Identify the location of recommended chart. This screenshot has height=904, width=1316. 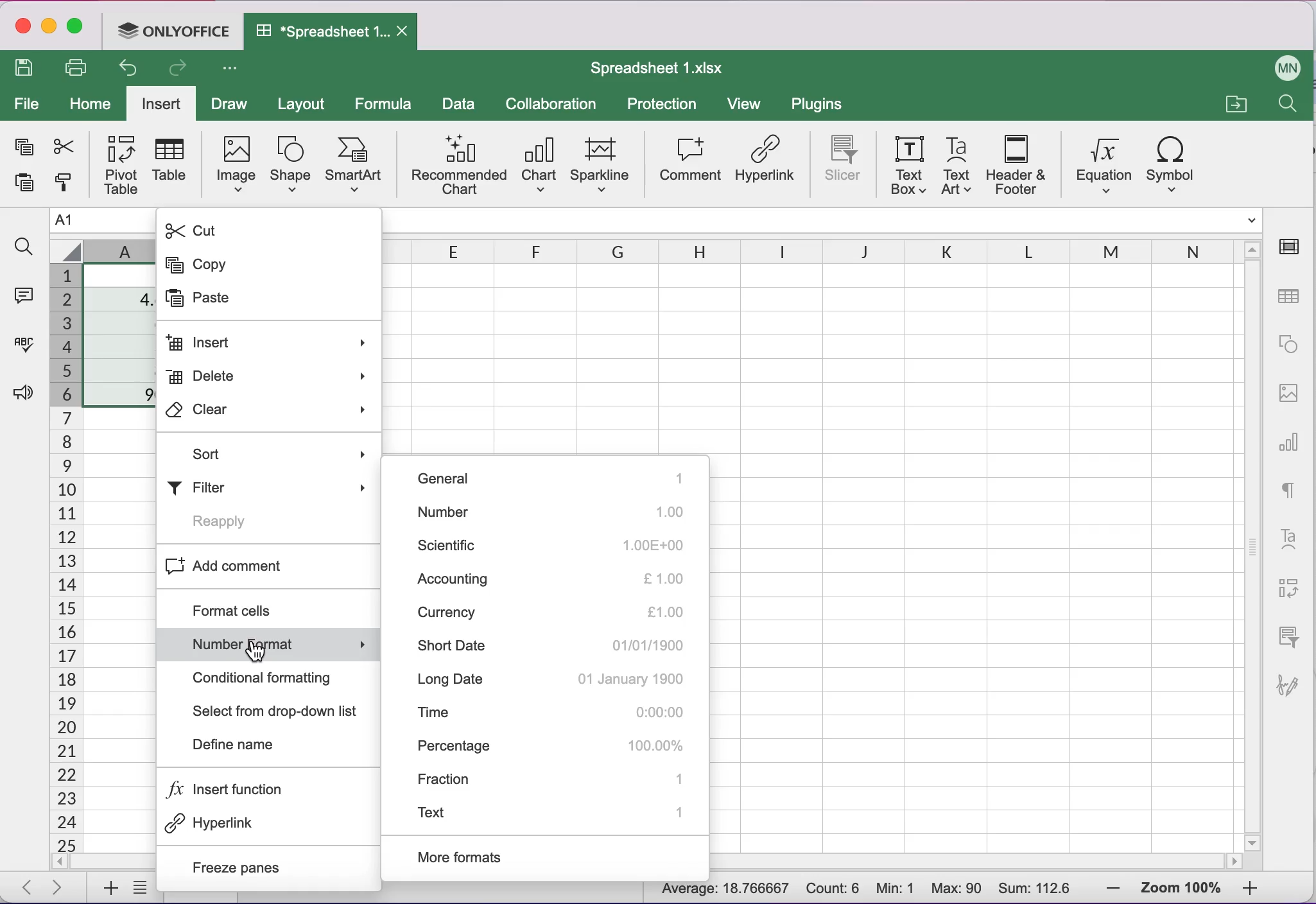
(456, 167).